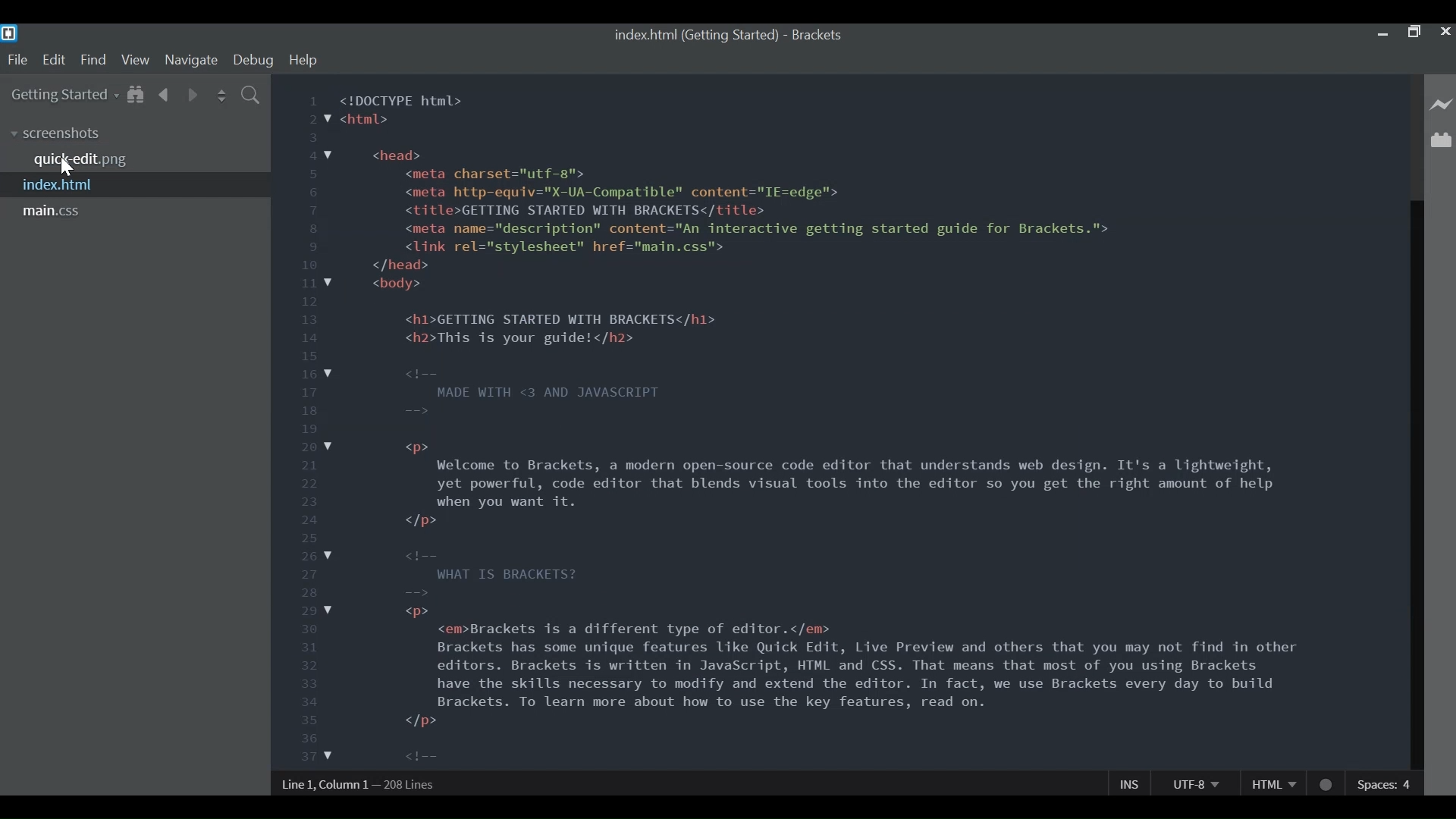 The image size is (1456, 819). Describe the element at coordinates (67, 134) in the screenshot. I see `screenshots` at that location.